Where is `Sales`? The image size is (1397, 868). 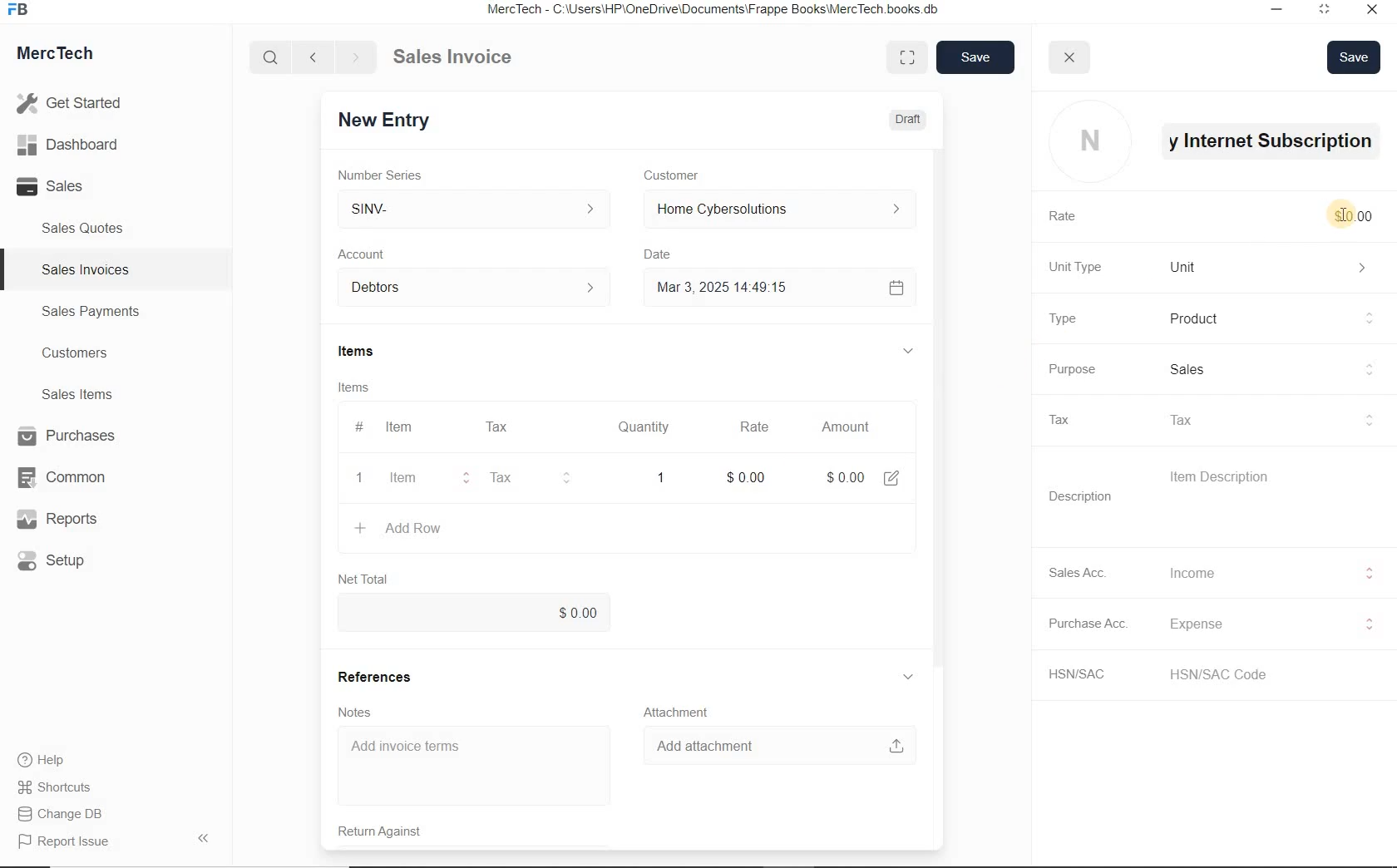 Sales is located at coordinates (1269, 370).